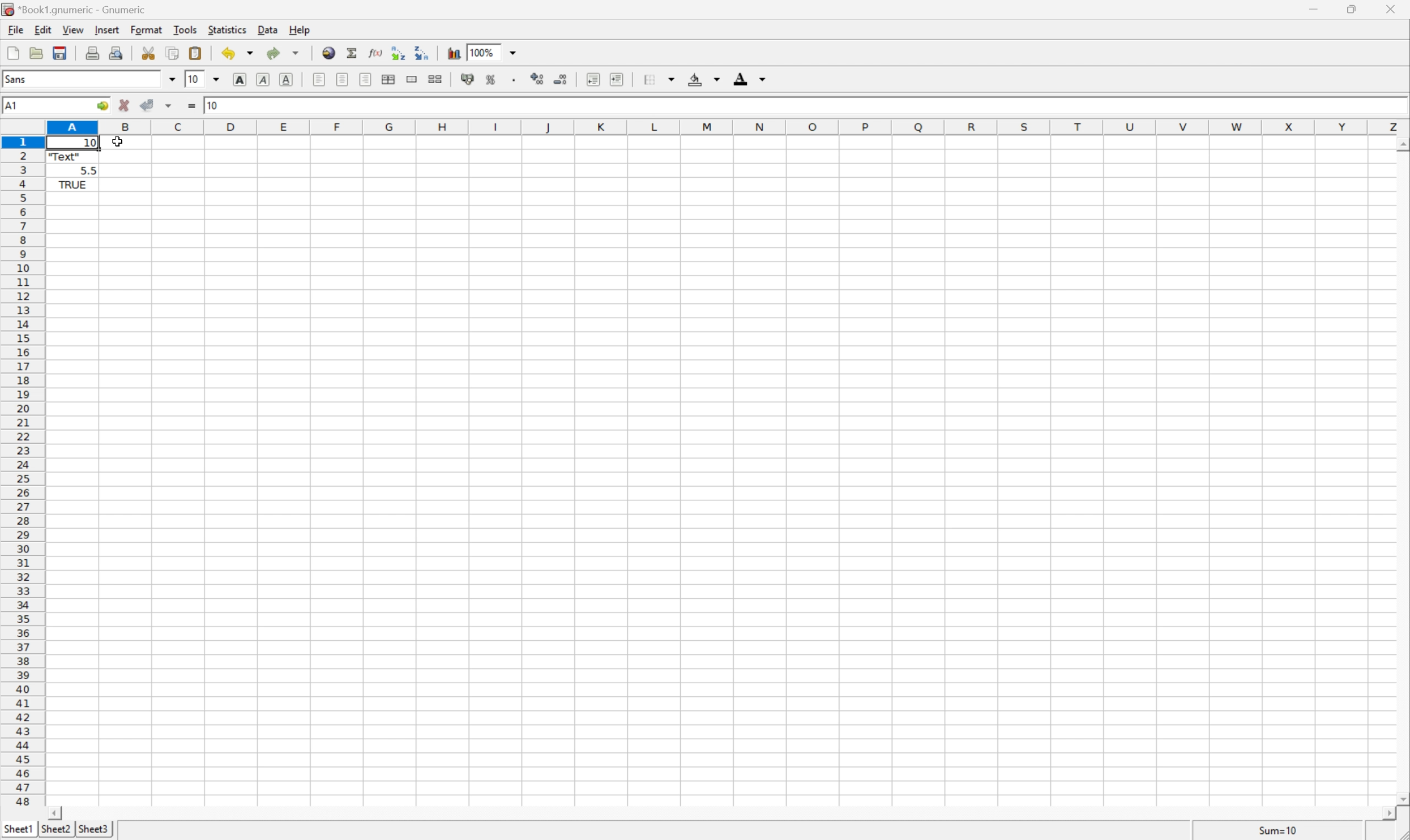 Image resolution: width=1410 pixels, height=840 pixels. Describe the element at coordinates (1381, 812) in the screenshot. I see `Scroll Right` at that location.